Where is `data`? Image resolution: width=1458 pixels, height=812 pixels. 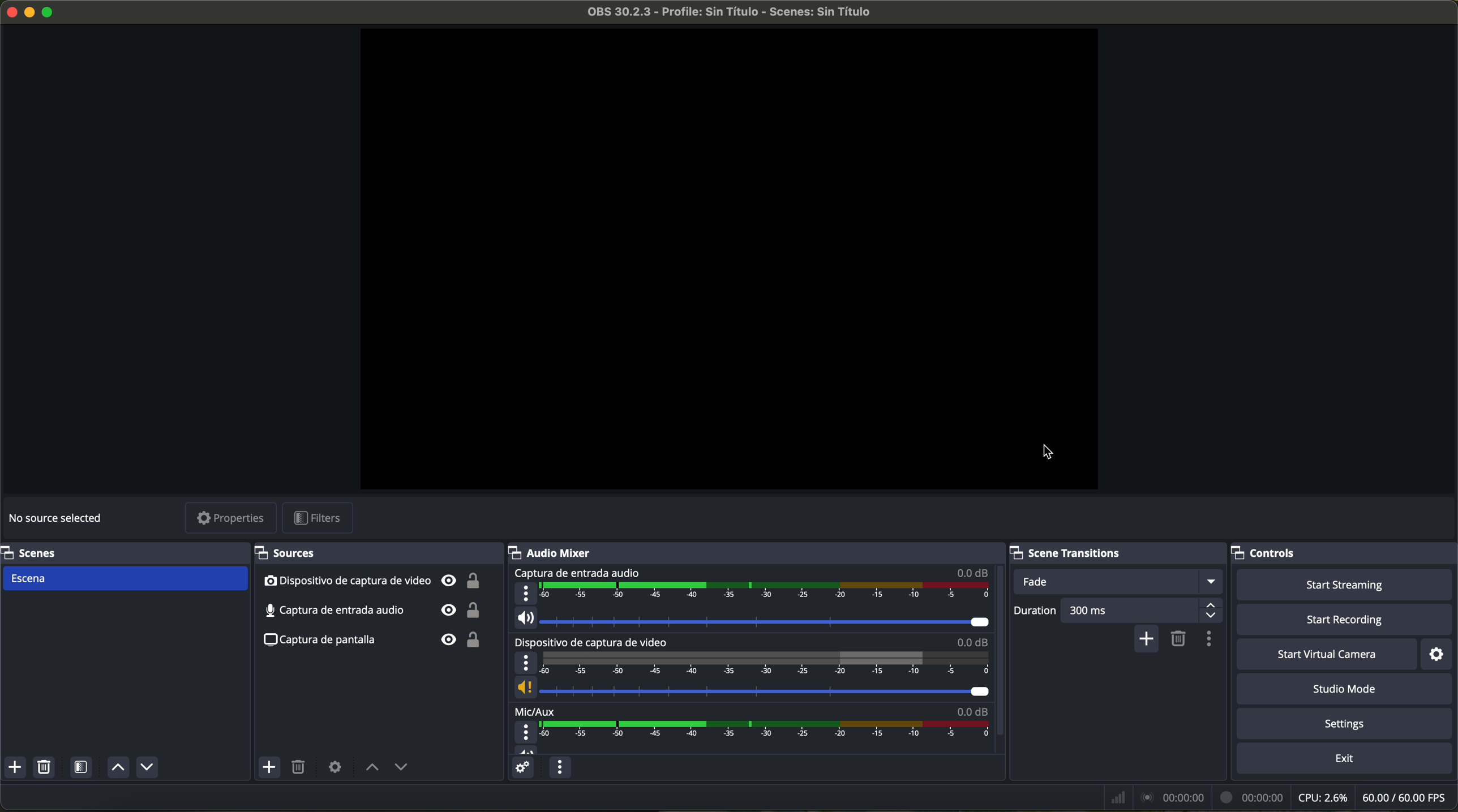
data is located at coordinates (1277, 797).